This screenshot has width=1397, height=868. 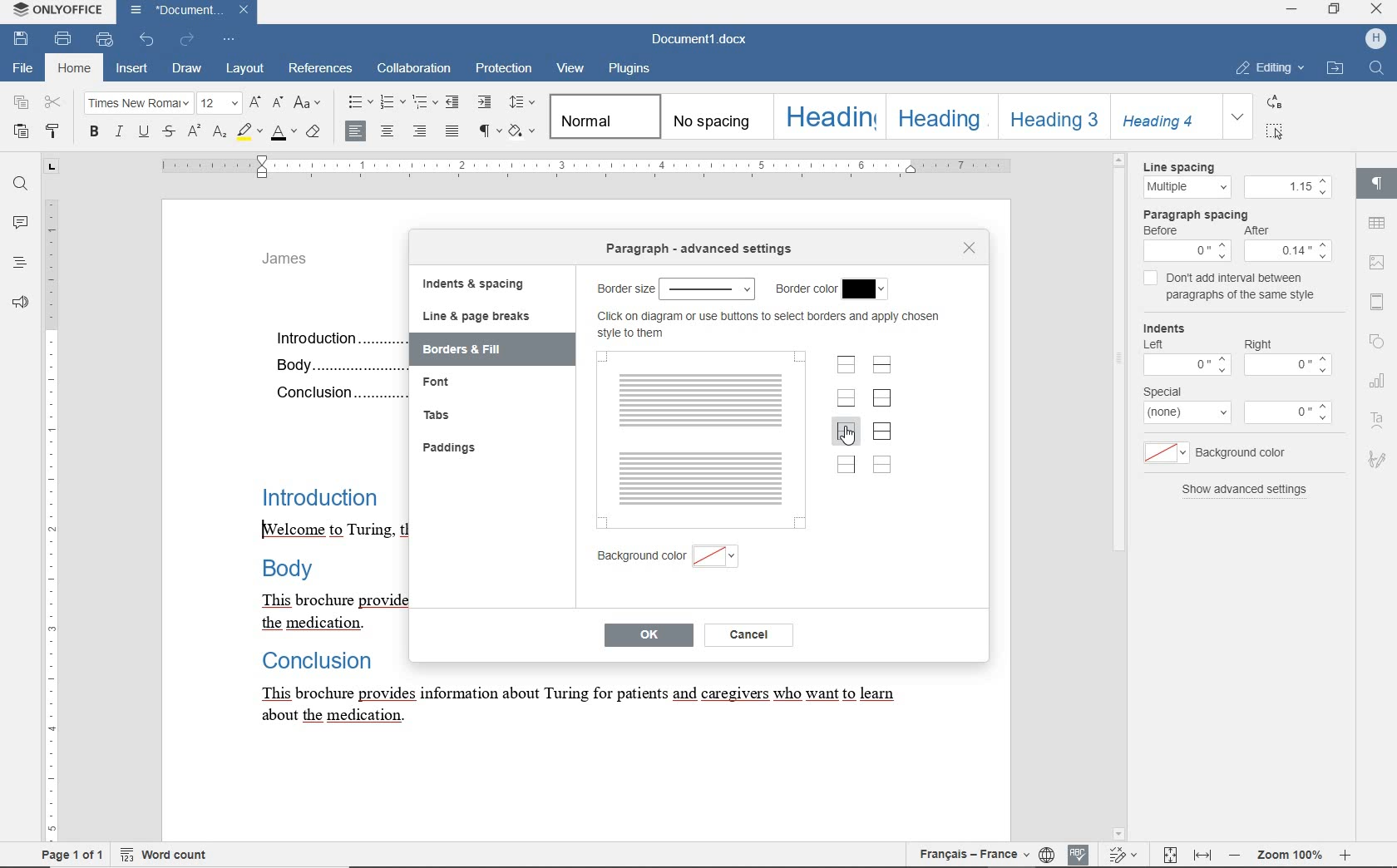 What do you see at coordinates (51, 499) in the screenshot?
I see `ruler` at bounding box center [51, 499].